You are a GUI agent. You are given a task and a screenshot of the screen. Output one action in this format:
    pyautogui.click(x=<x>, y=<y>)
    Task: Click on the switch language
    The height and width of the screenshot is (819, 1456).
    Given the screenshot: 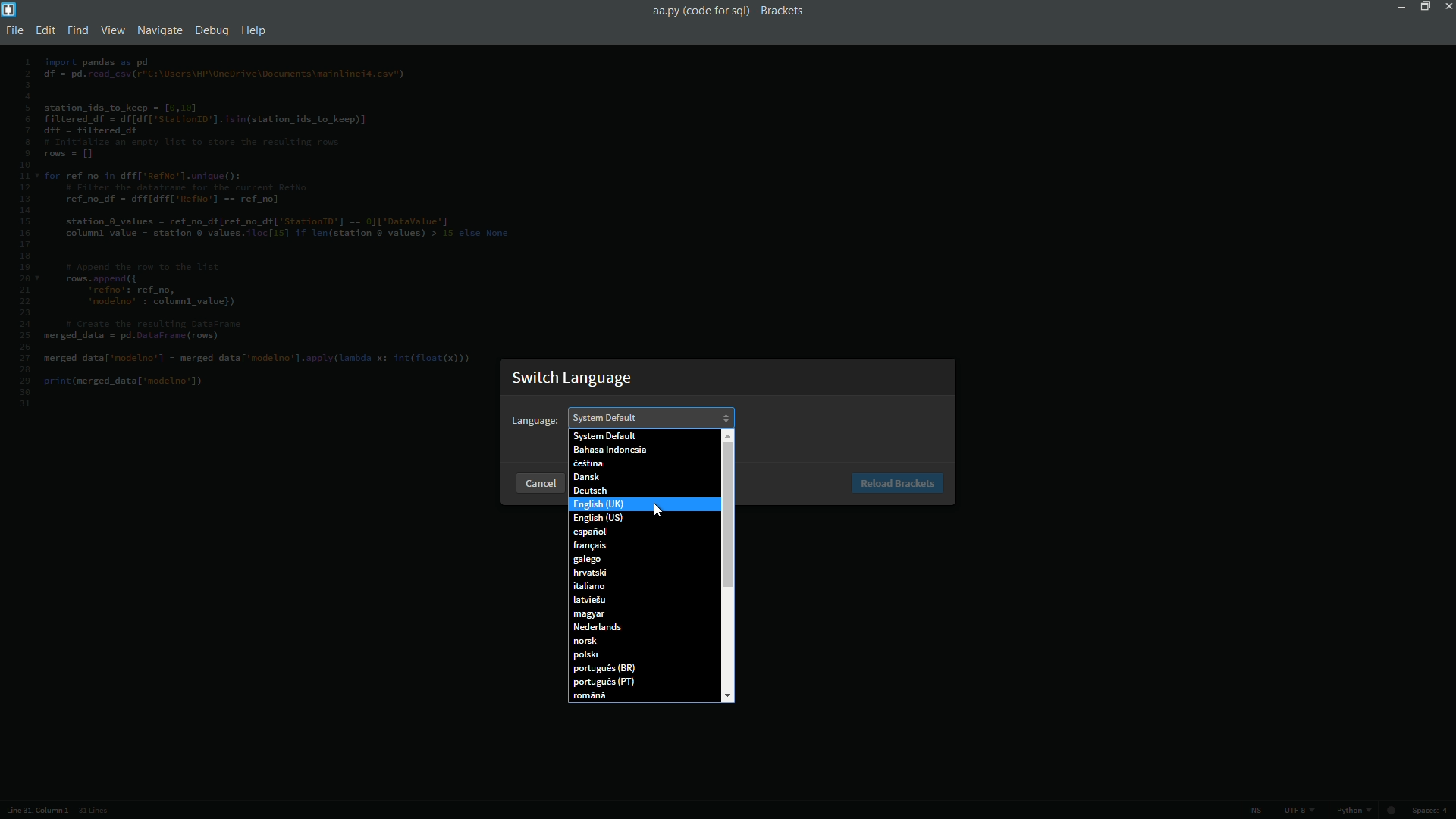 What is the action you would take?
    pyautogui.click(x=574, y=378)
    